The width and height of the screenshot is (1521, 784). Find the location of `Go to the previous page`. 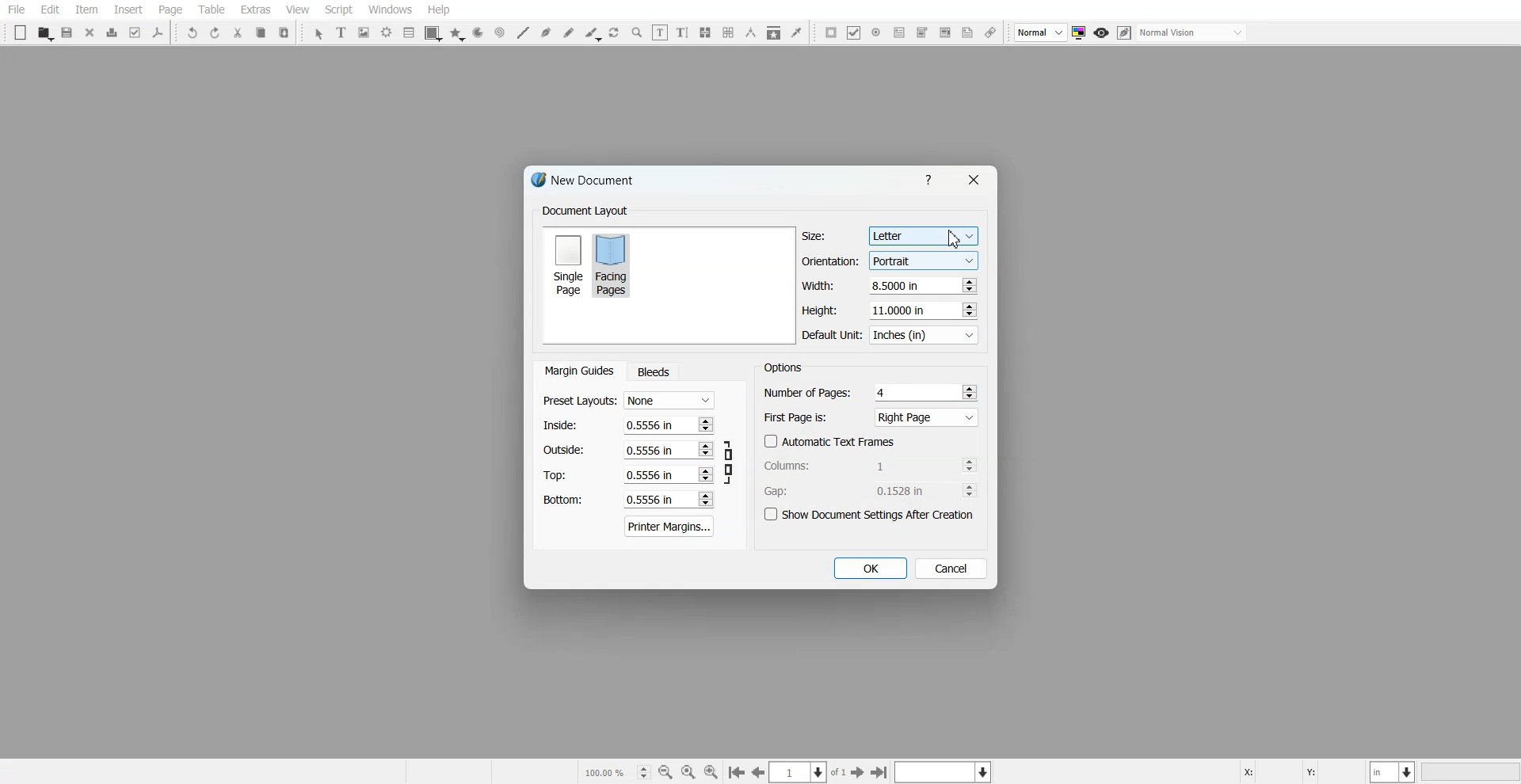

Go to the previous page is located at coordinates (758, 772).